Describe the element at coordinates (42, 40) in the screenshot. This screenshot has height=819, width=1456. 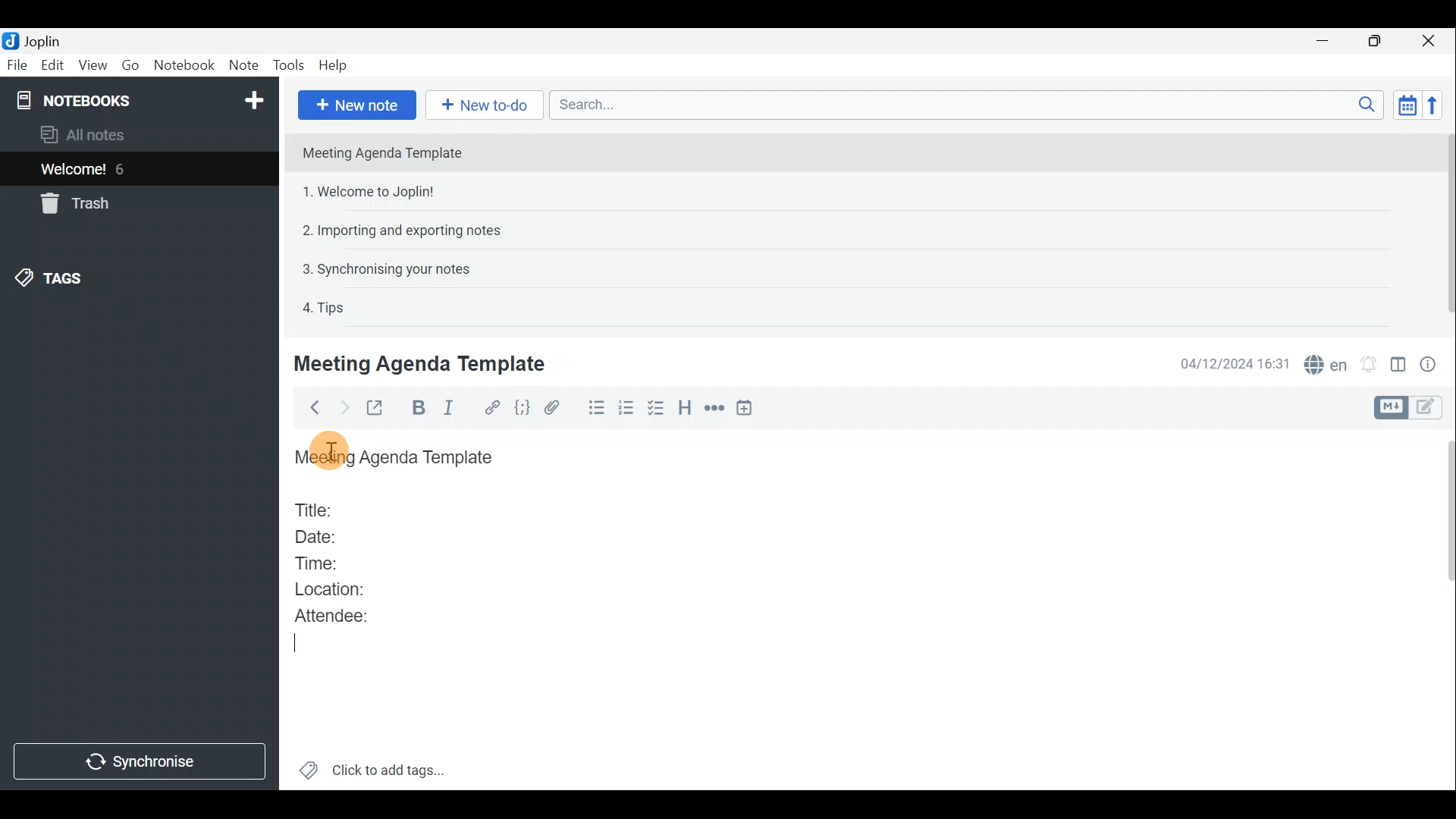
I see `Joplin` at that location.